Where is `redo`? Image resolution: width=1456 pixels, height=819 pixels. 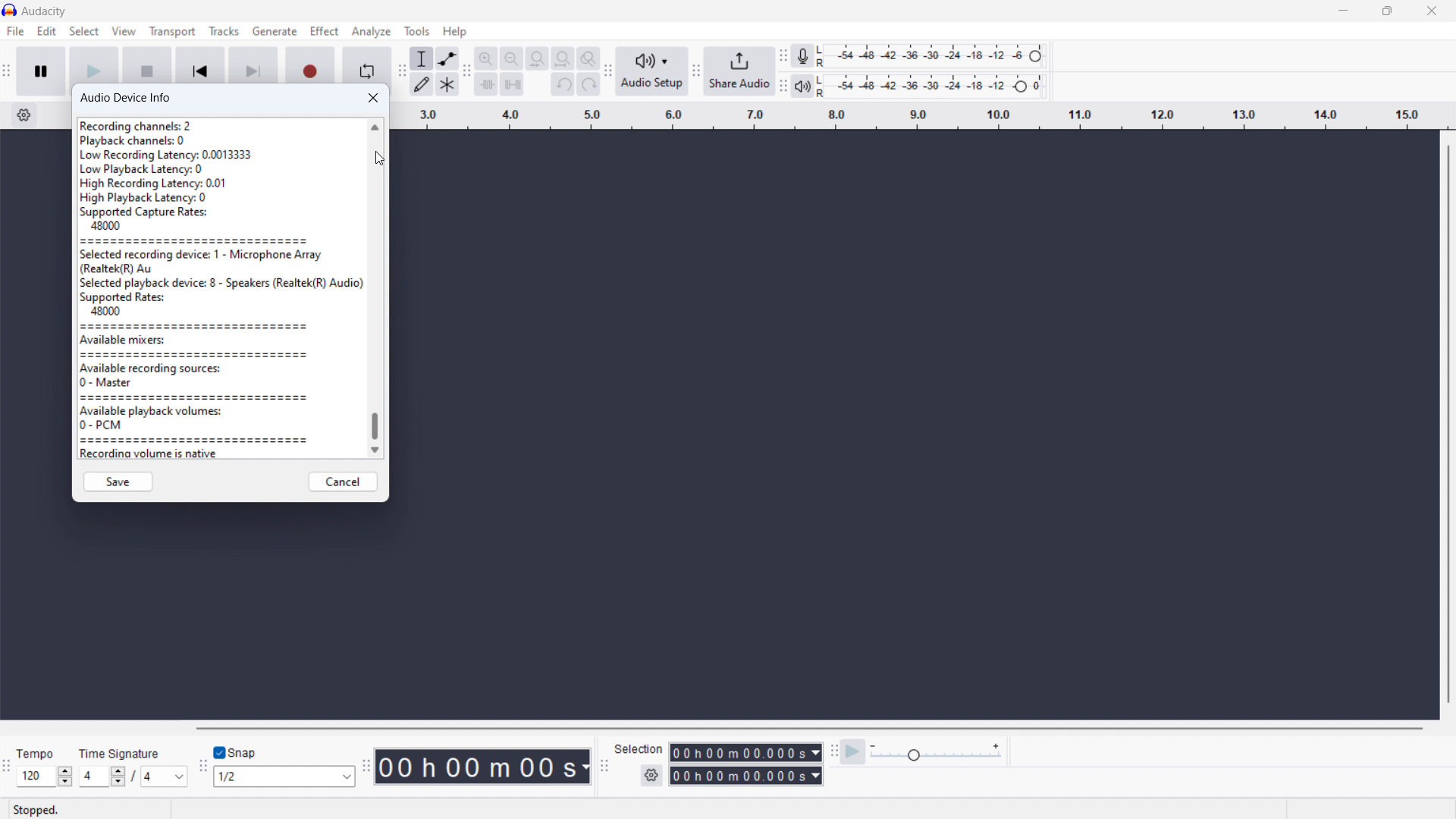
redo is located at coordinates (588, 84).